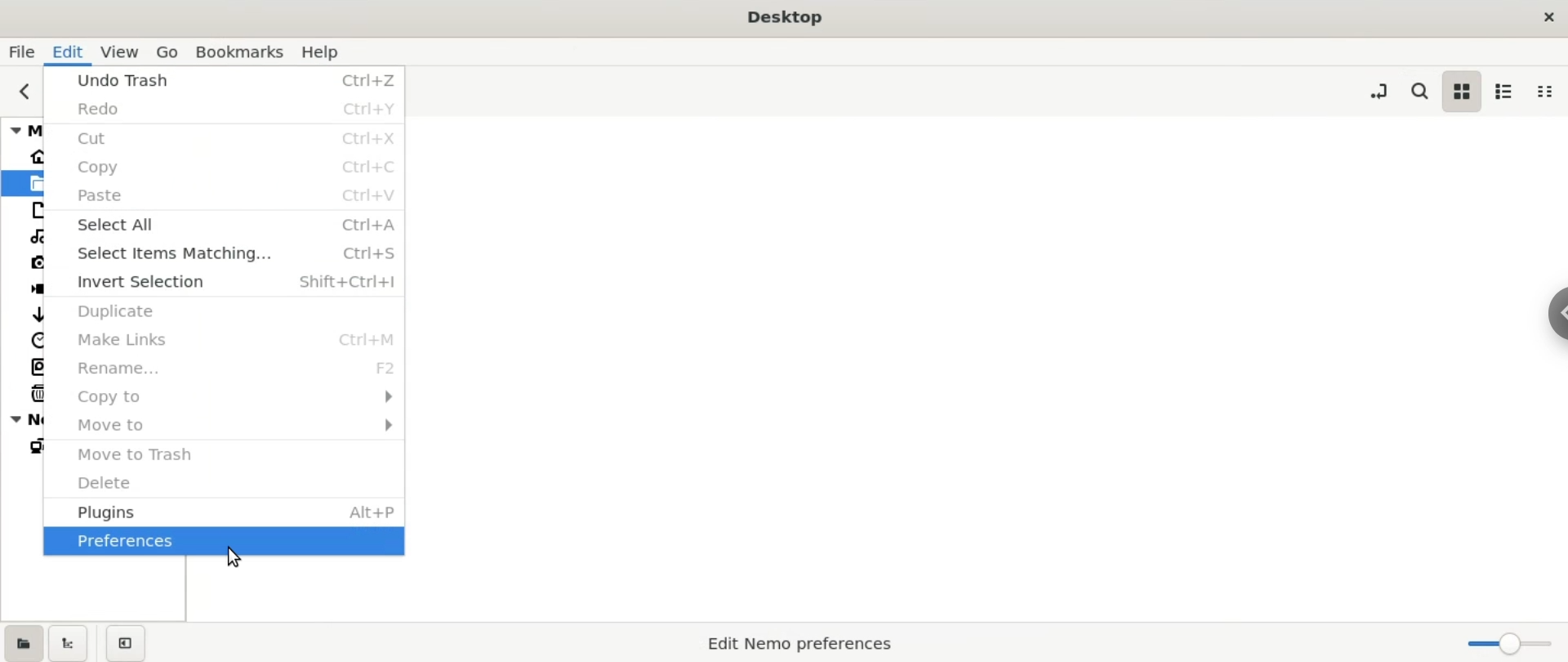 The image size is (1568, 662). Describe the element at coordinates (220, 342) in the screenshot. I see `make links` at that location.